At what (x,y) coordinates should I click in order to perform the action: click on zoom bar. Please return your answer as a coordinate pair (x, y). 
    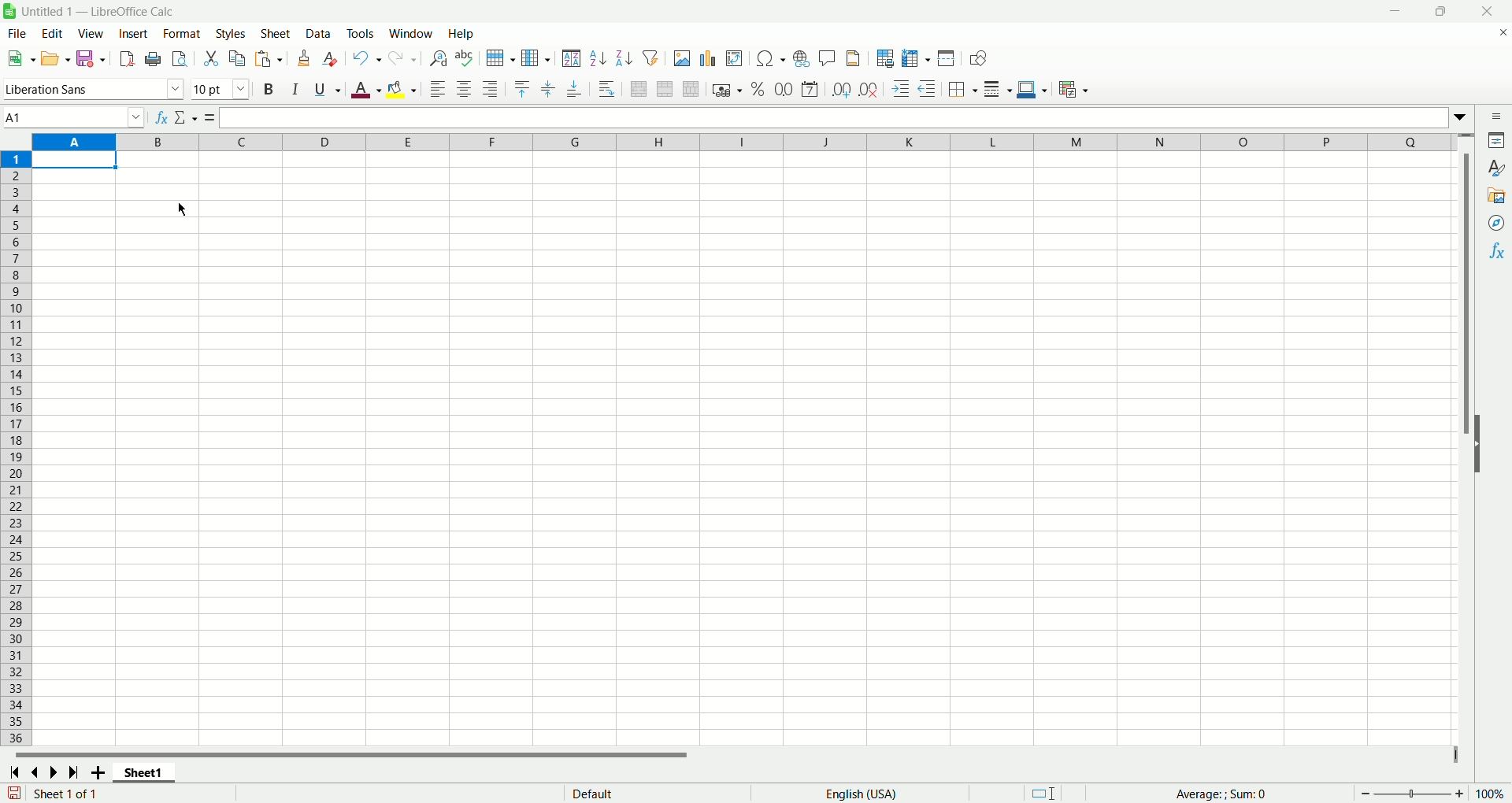
    Looking at the image, I should click on (1412, 794).